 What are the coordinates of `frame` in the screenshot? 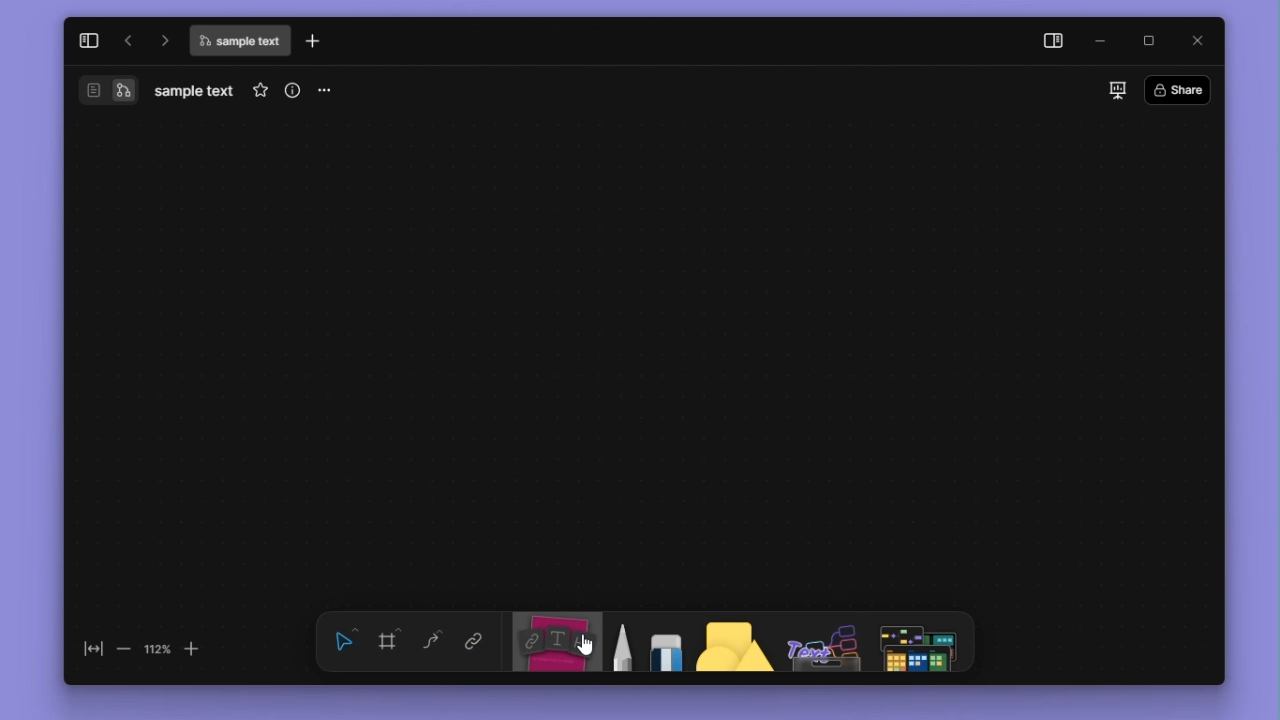 It's located at (388, 639).